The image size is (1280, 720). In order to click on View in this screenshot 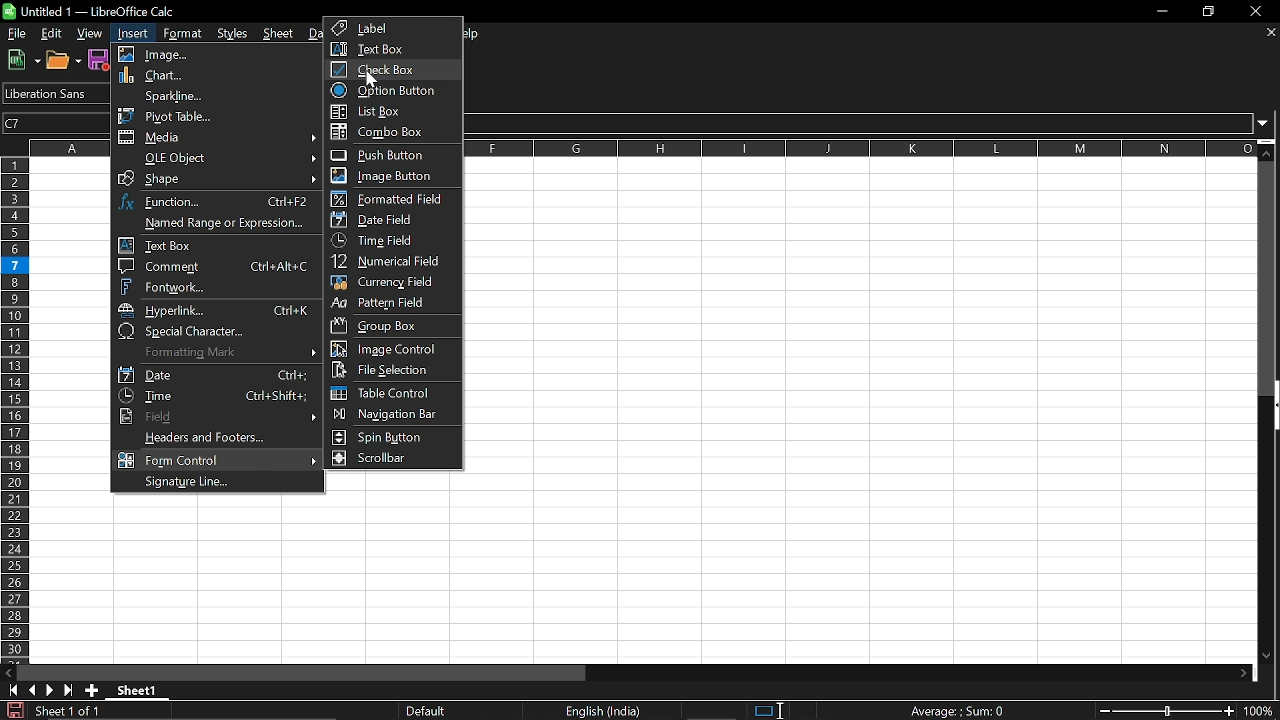, I will do `click(90, 34)`.